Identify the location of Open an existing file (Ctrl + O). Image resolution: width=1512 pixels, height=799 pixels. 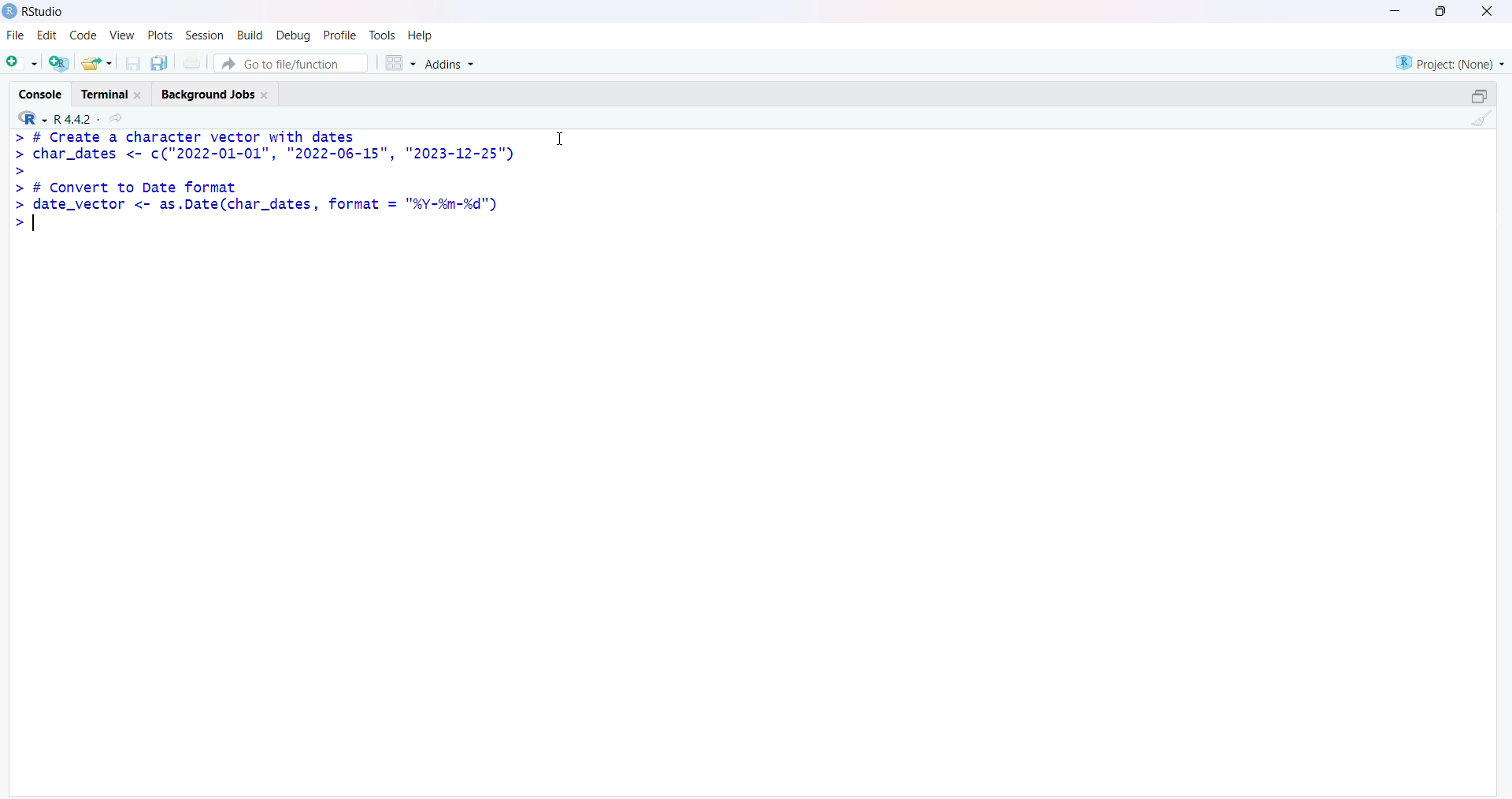
(102, 63).